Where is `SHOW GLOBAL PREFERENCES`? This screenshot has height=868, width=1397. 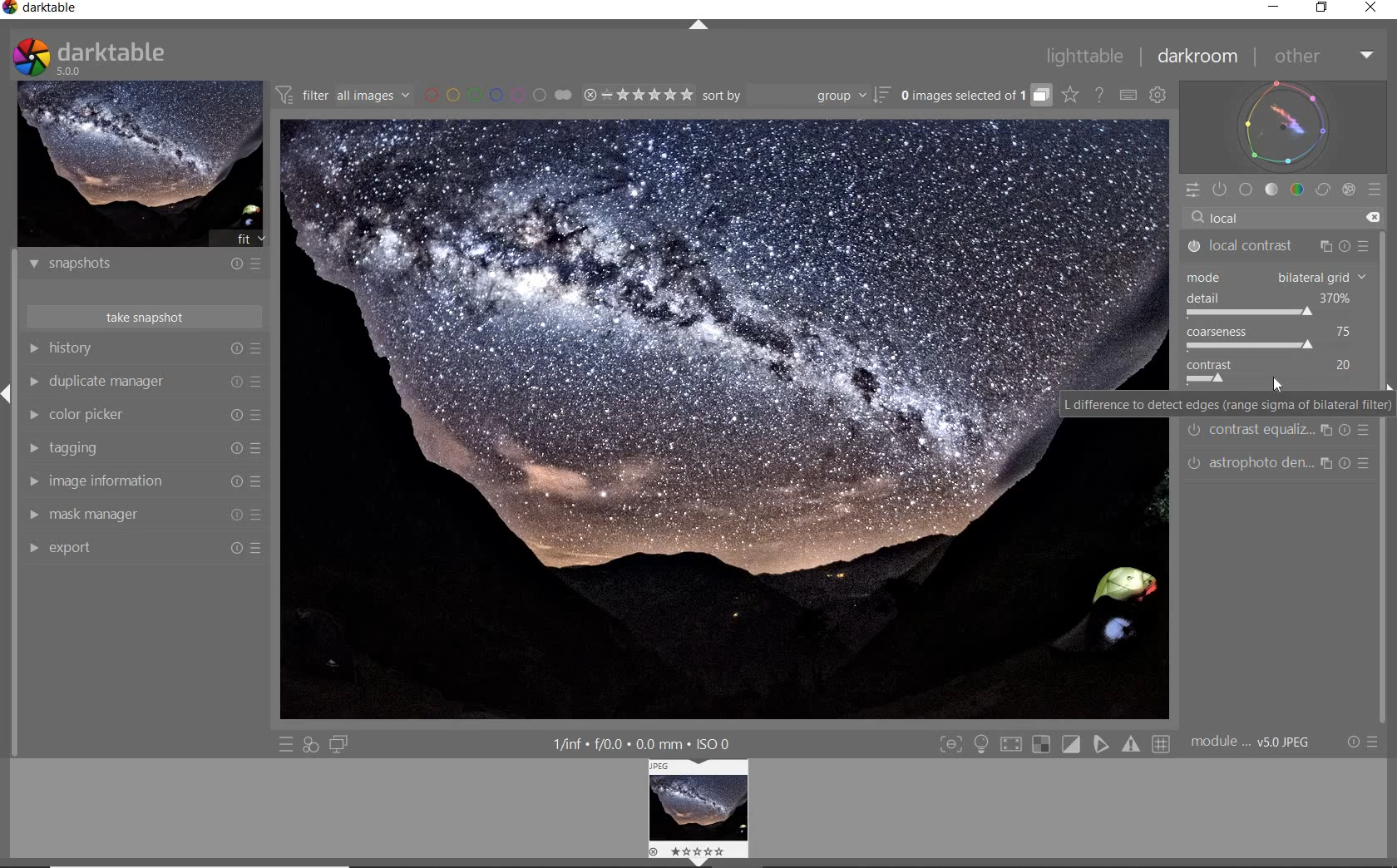 SHOW GLOBAL PREFERENCES is located at coordinates (1157, 94).